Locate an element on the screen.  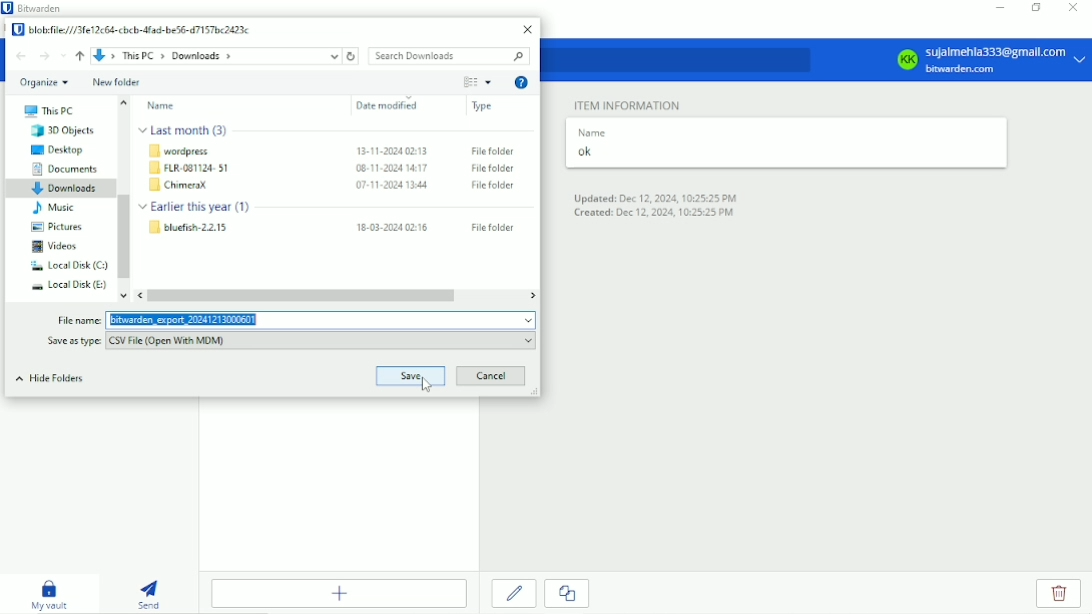
Restore down is located at coordinates (1036, 7).